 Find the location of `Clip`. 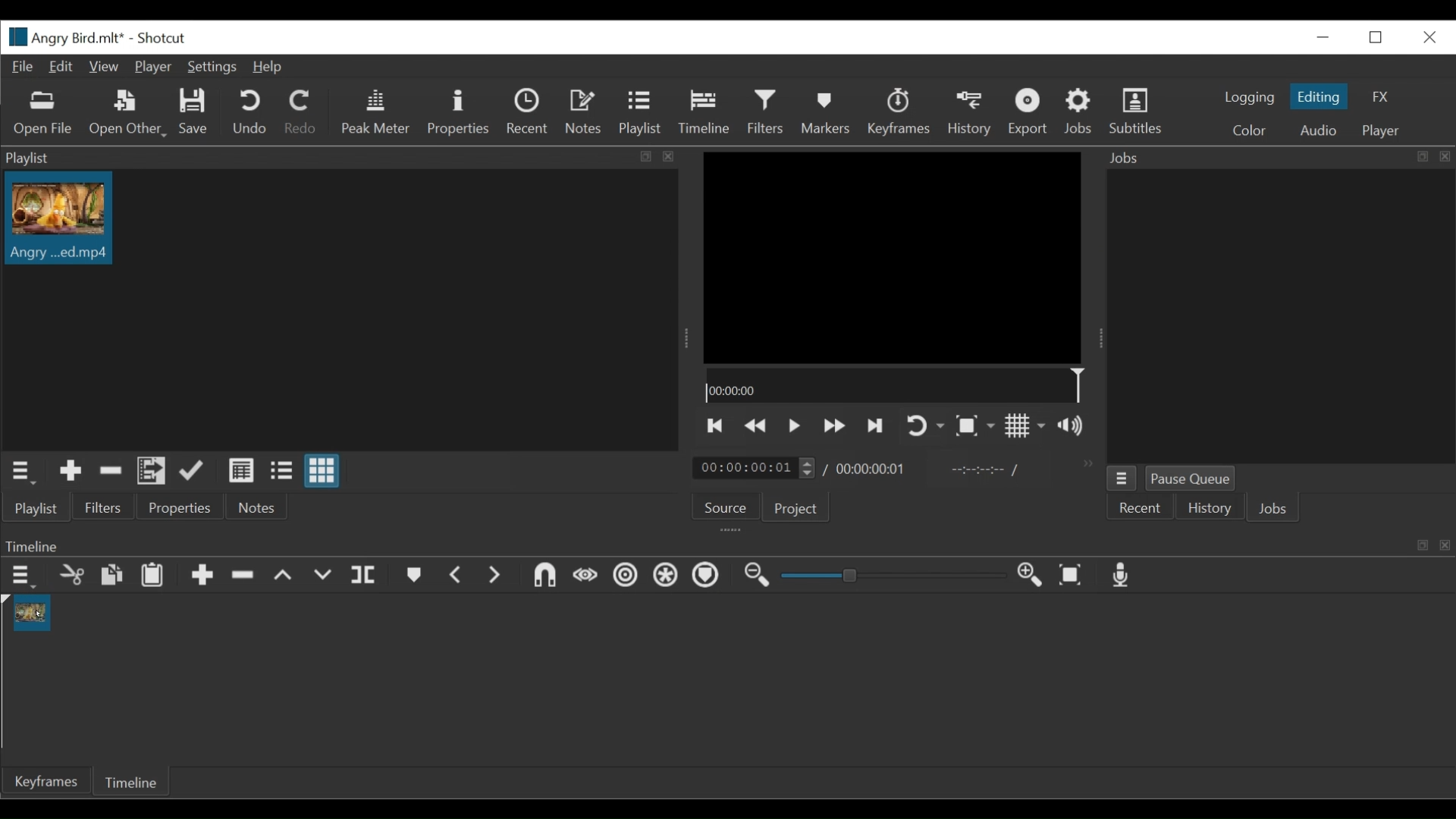

Clip is located at coordinates (61, 218).